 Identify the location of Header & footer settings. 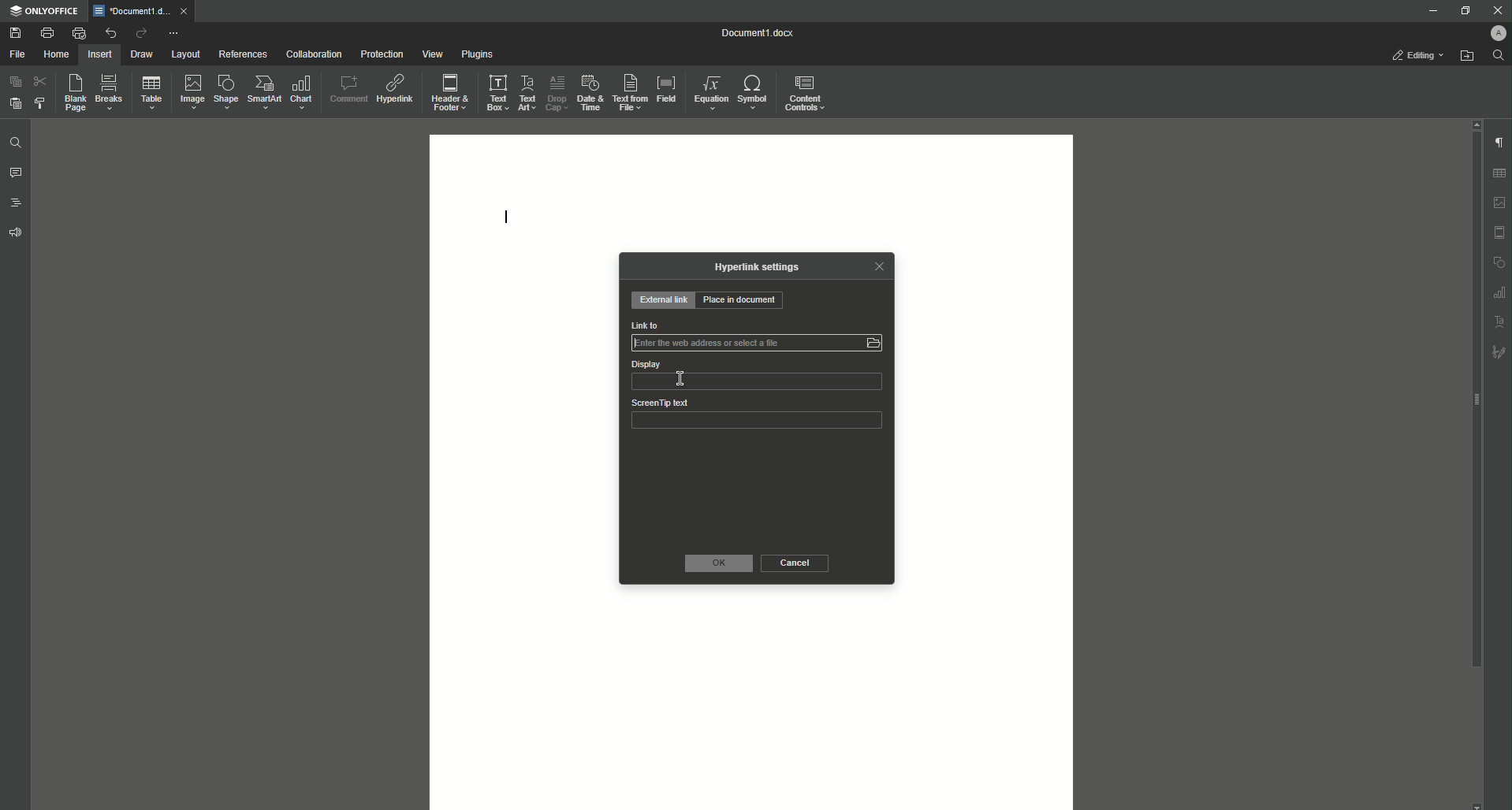
(1501, 233).